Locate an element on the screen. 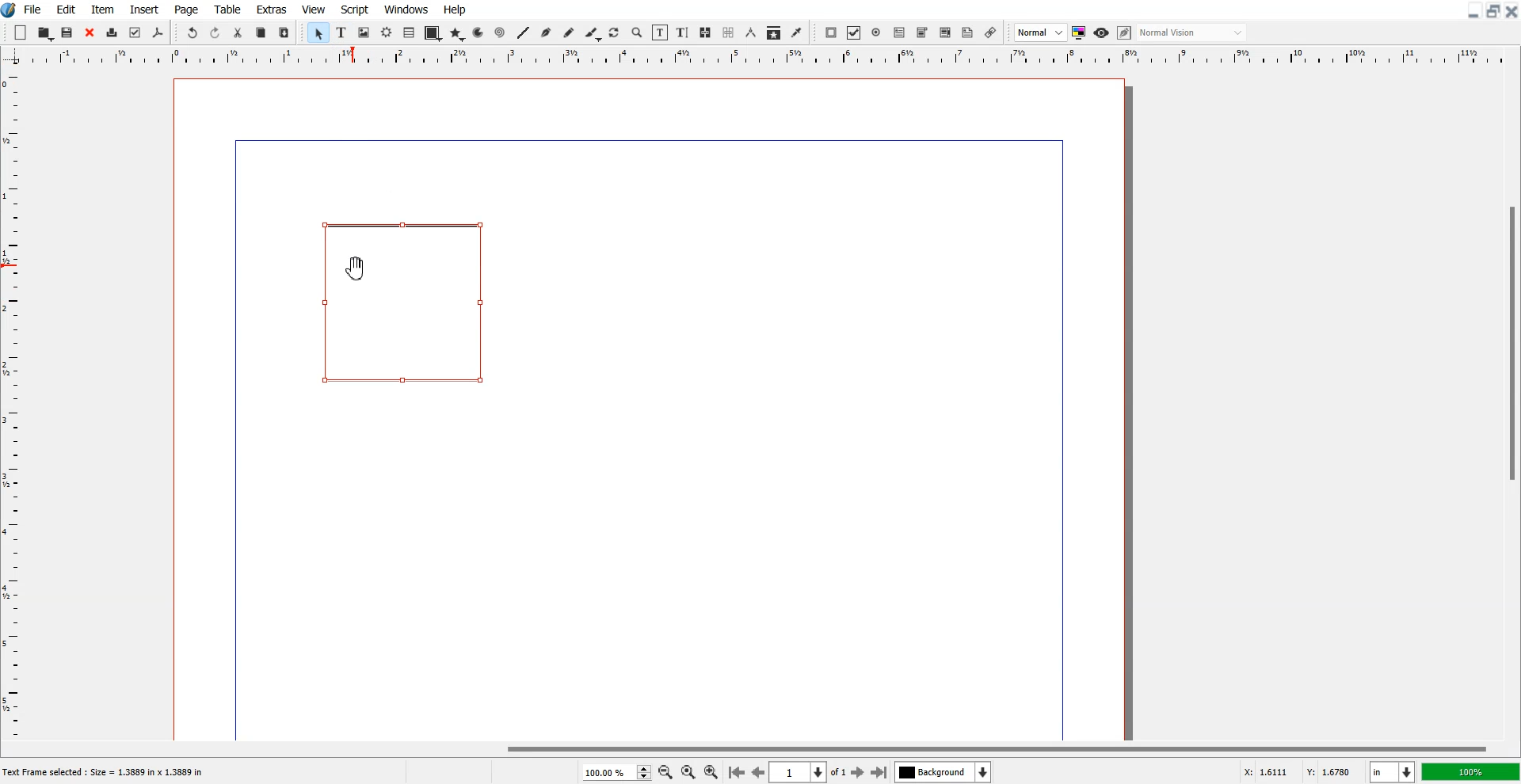  Horizontal Scale is located at coordinates (778, 57).